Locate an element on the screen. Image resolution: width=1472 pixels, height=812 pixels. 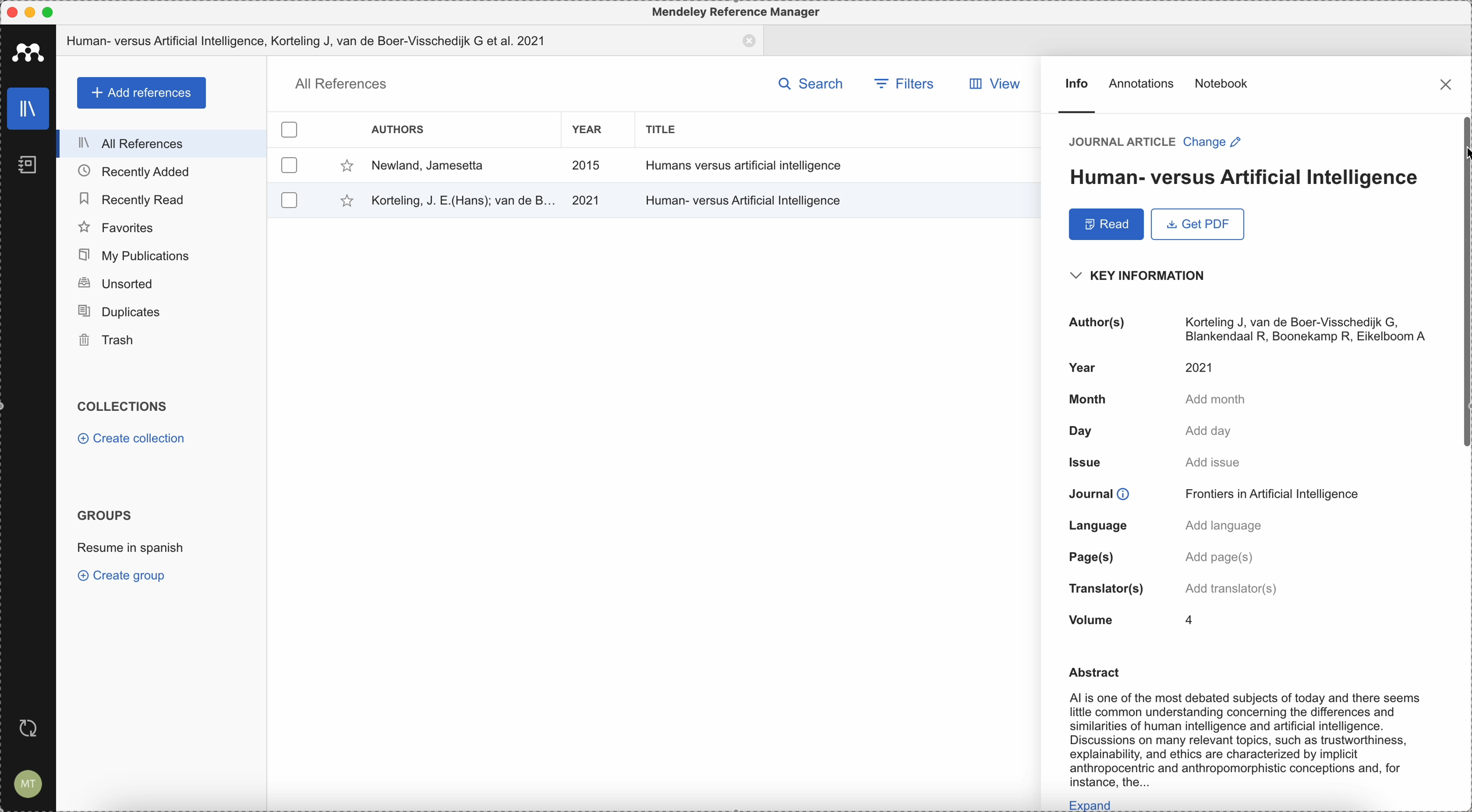
abstract is located at coordinates (1095, 673).